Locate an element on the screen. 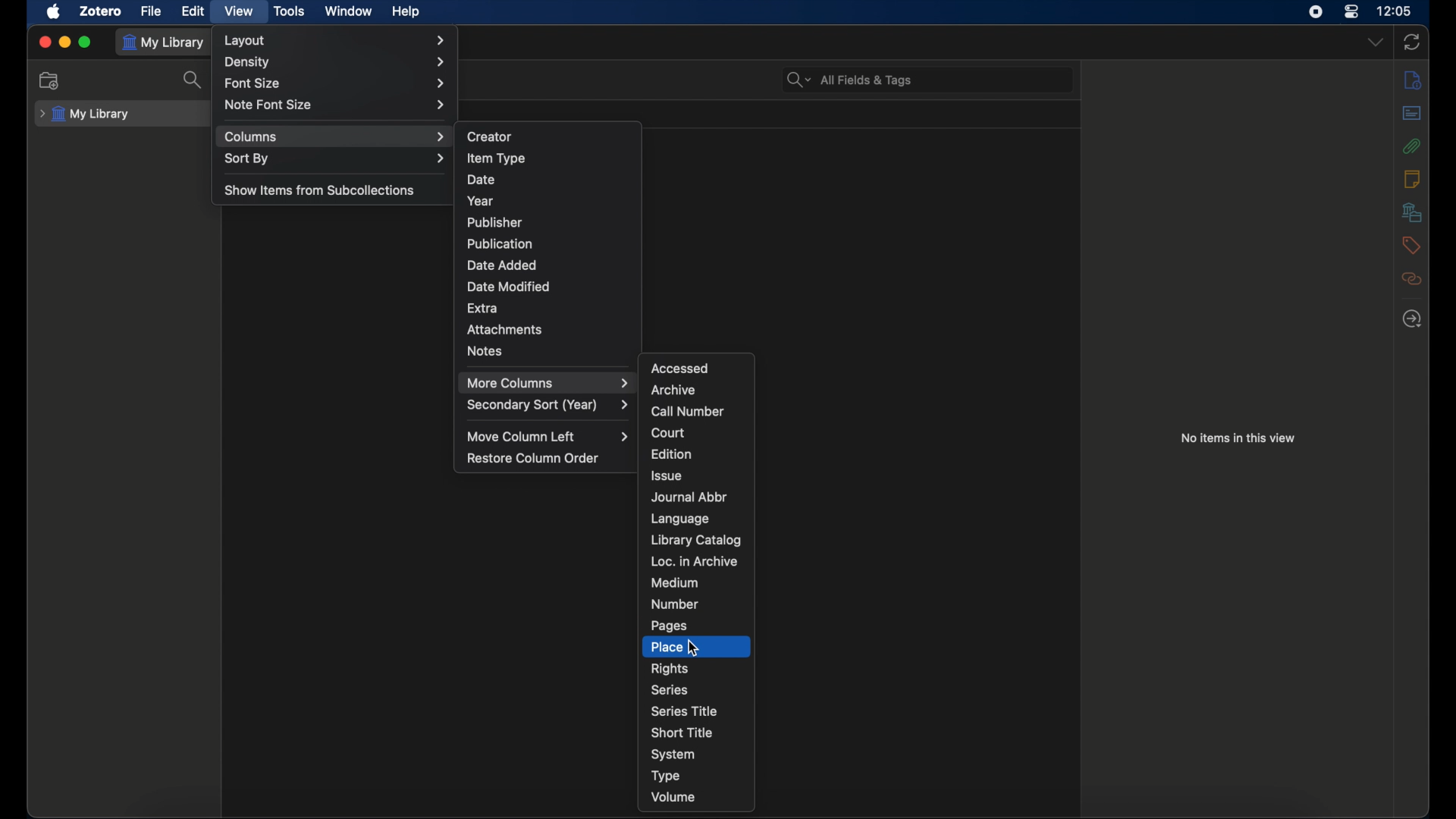 The width and height of the screenshot is (1456, 819). number is located at coordinates (675, 604).